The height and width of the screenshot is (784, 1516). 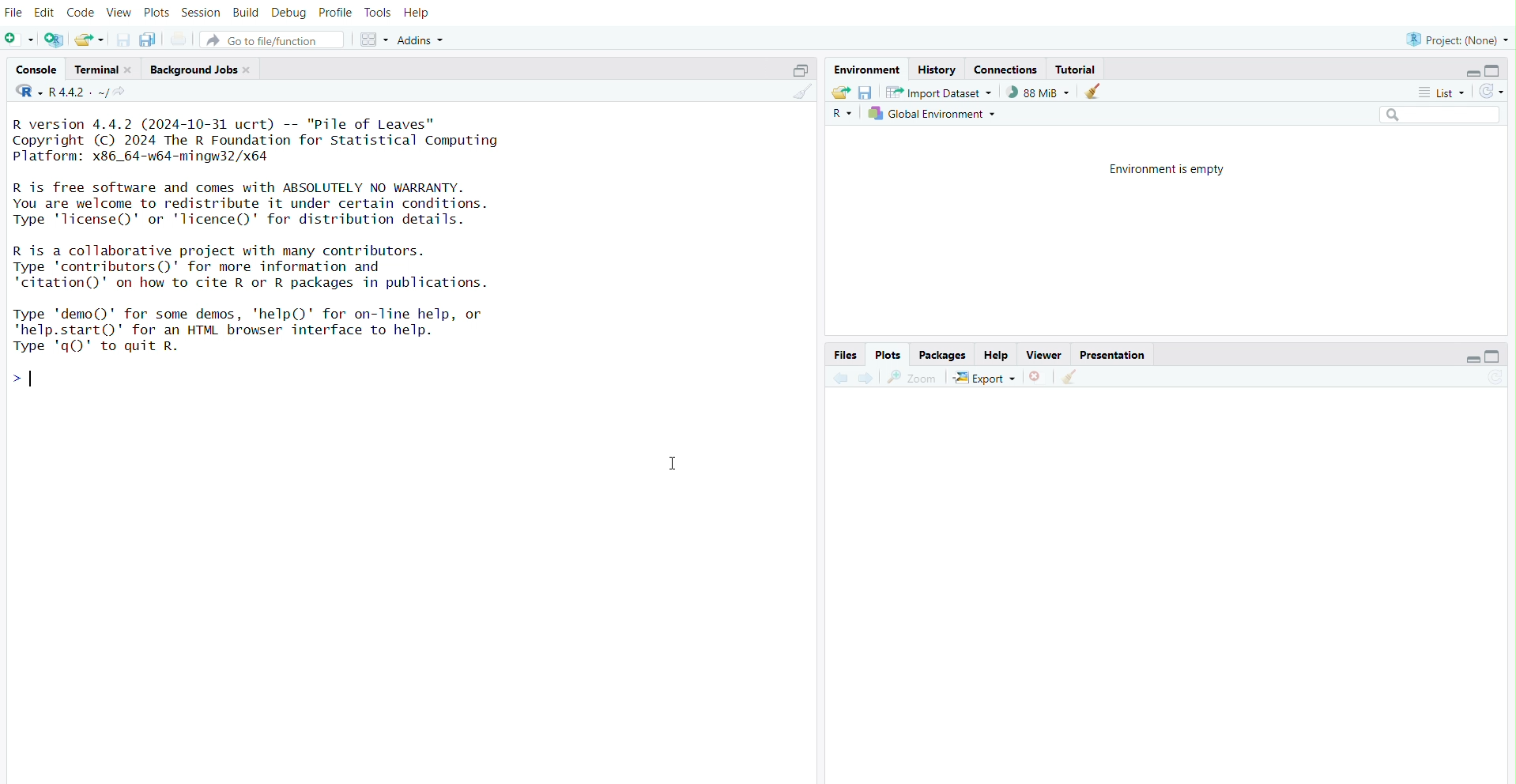 I want to click on packages, so click(x=941, y=354).